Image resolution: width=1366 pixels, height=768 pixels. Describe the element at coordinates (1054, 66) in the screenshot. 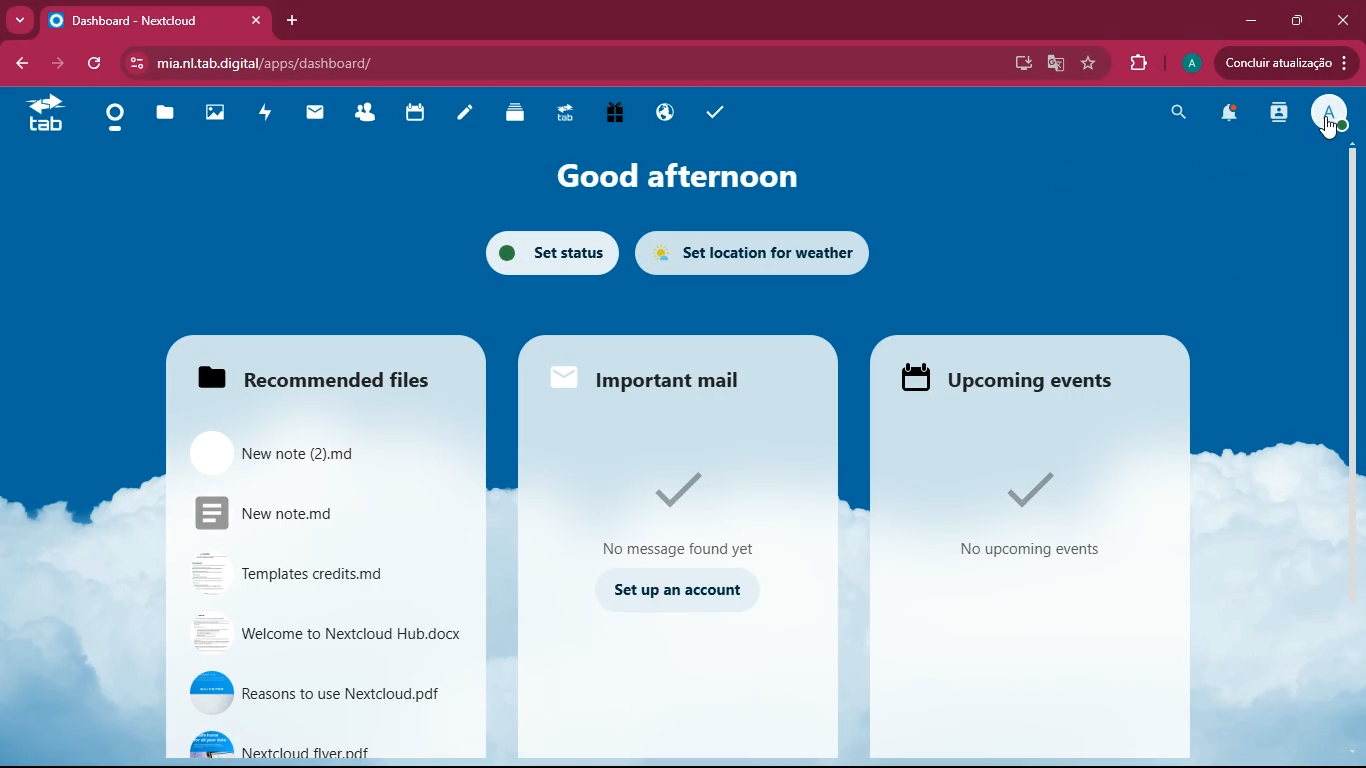

I see `google translate` at that location.